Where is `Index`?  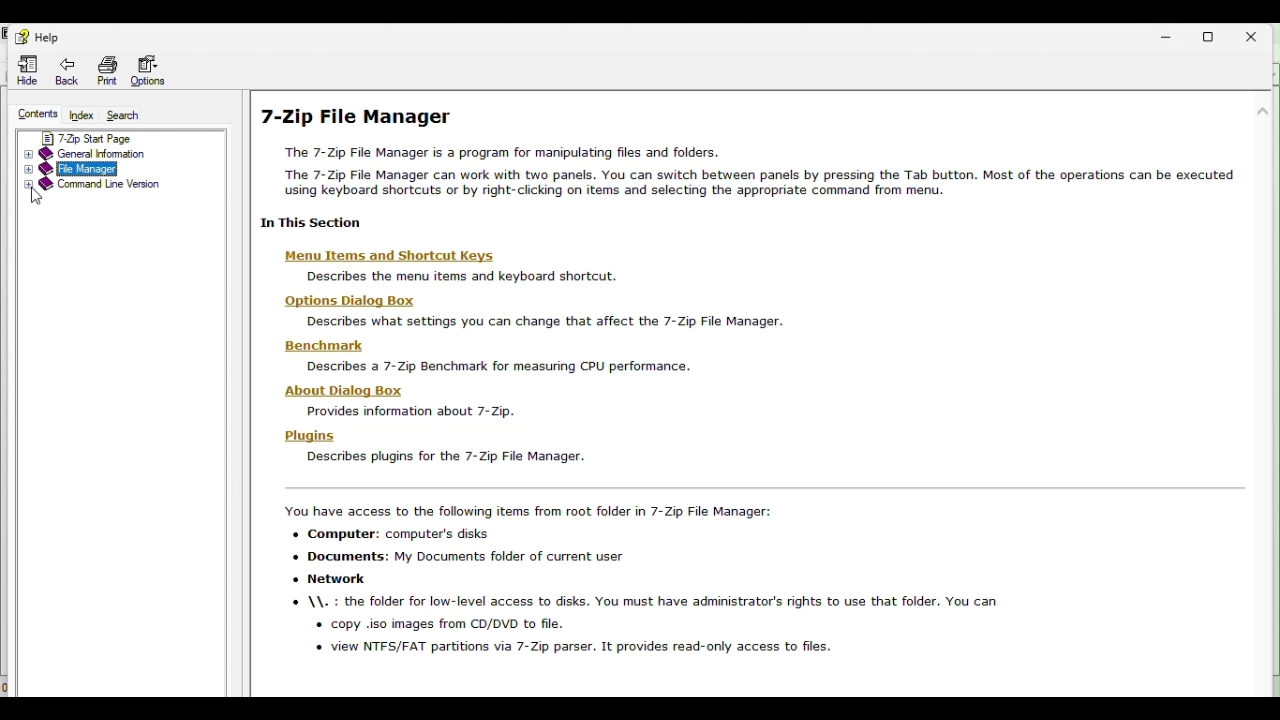 Index is located at coordinates (83, 116).